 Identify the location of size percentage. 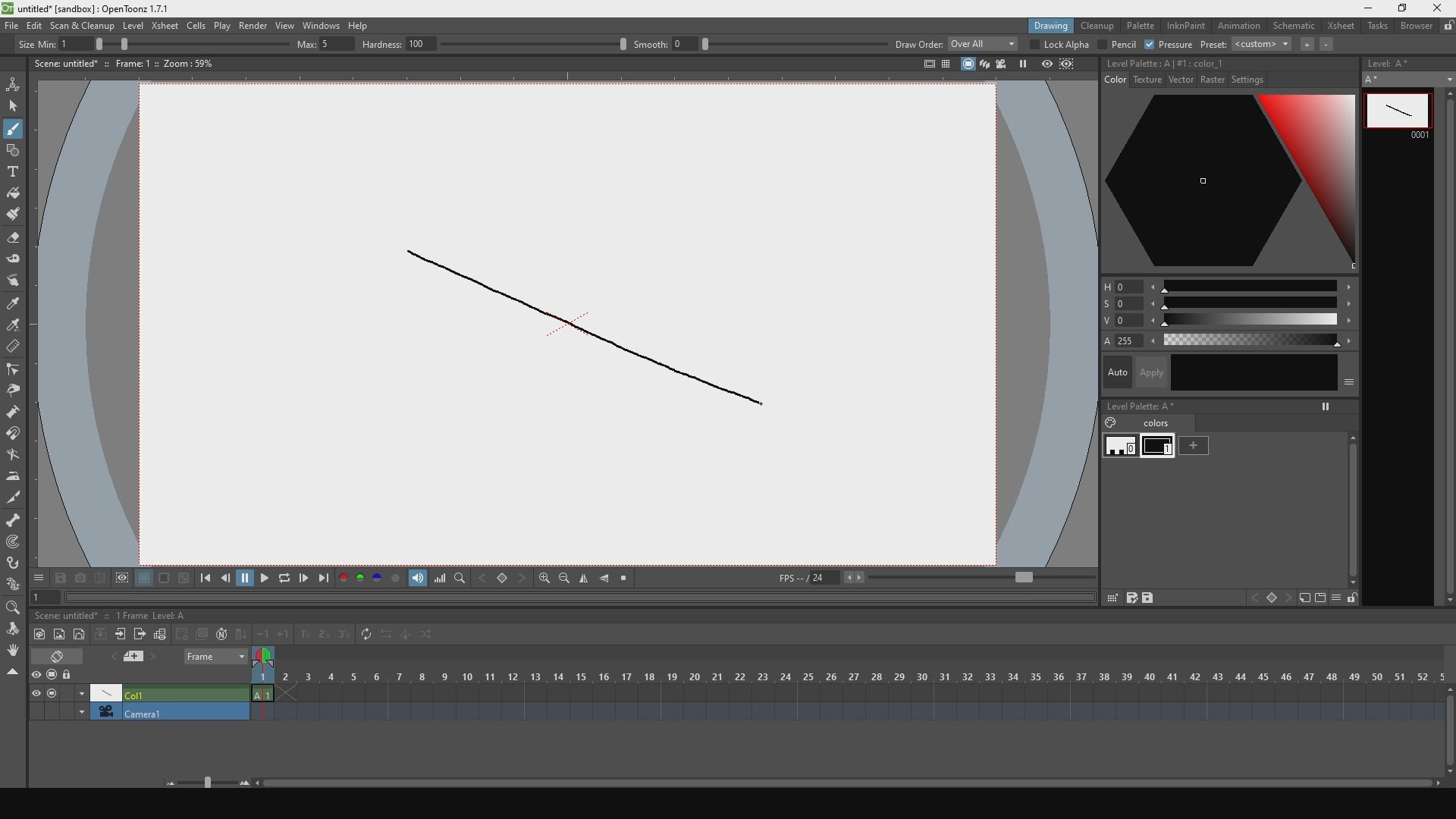
(197, 44).